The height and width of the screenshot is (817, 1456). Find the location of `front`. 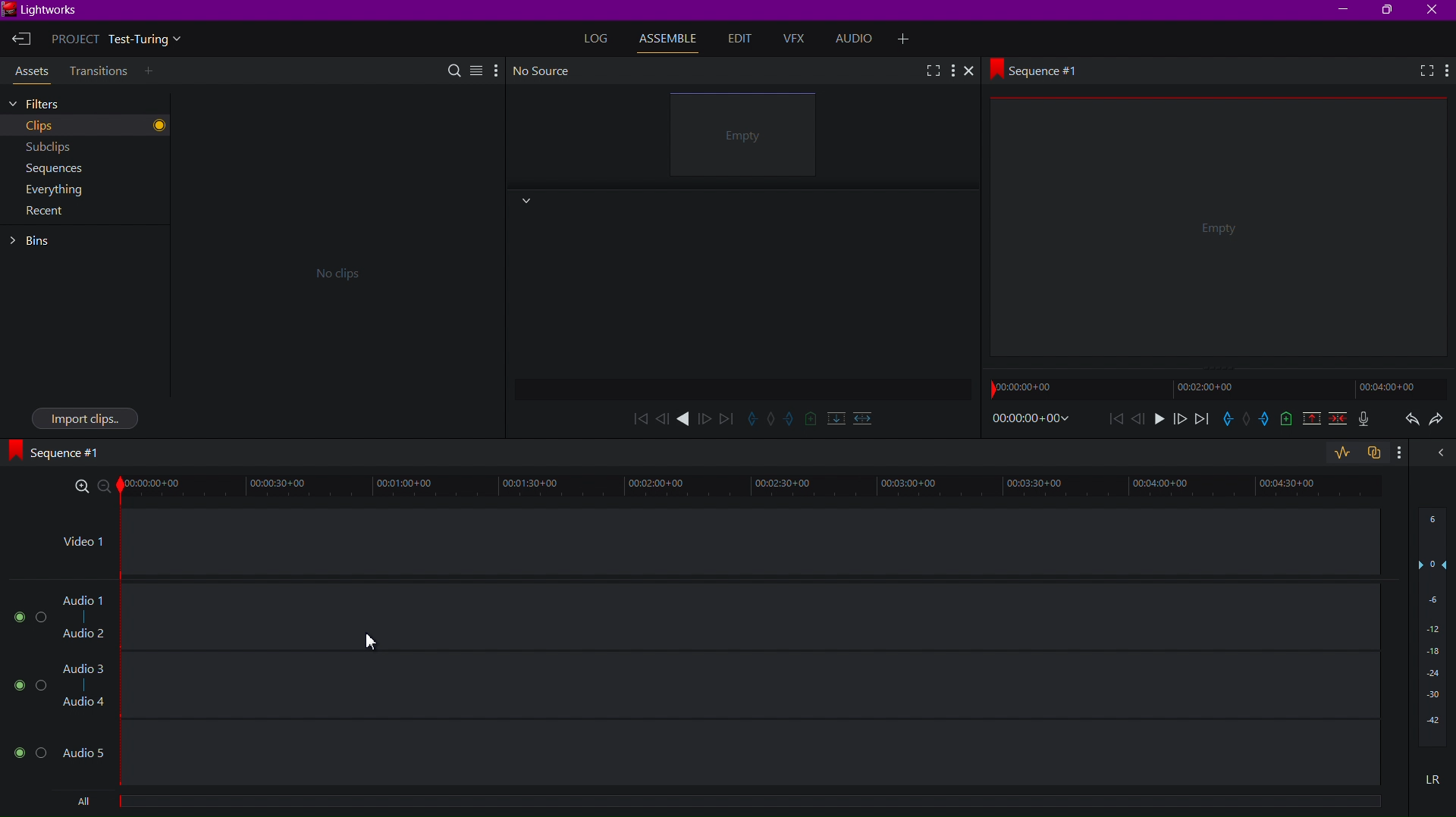

front is located at coordinates (1178, 421).